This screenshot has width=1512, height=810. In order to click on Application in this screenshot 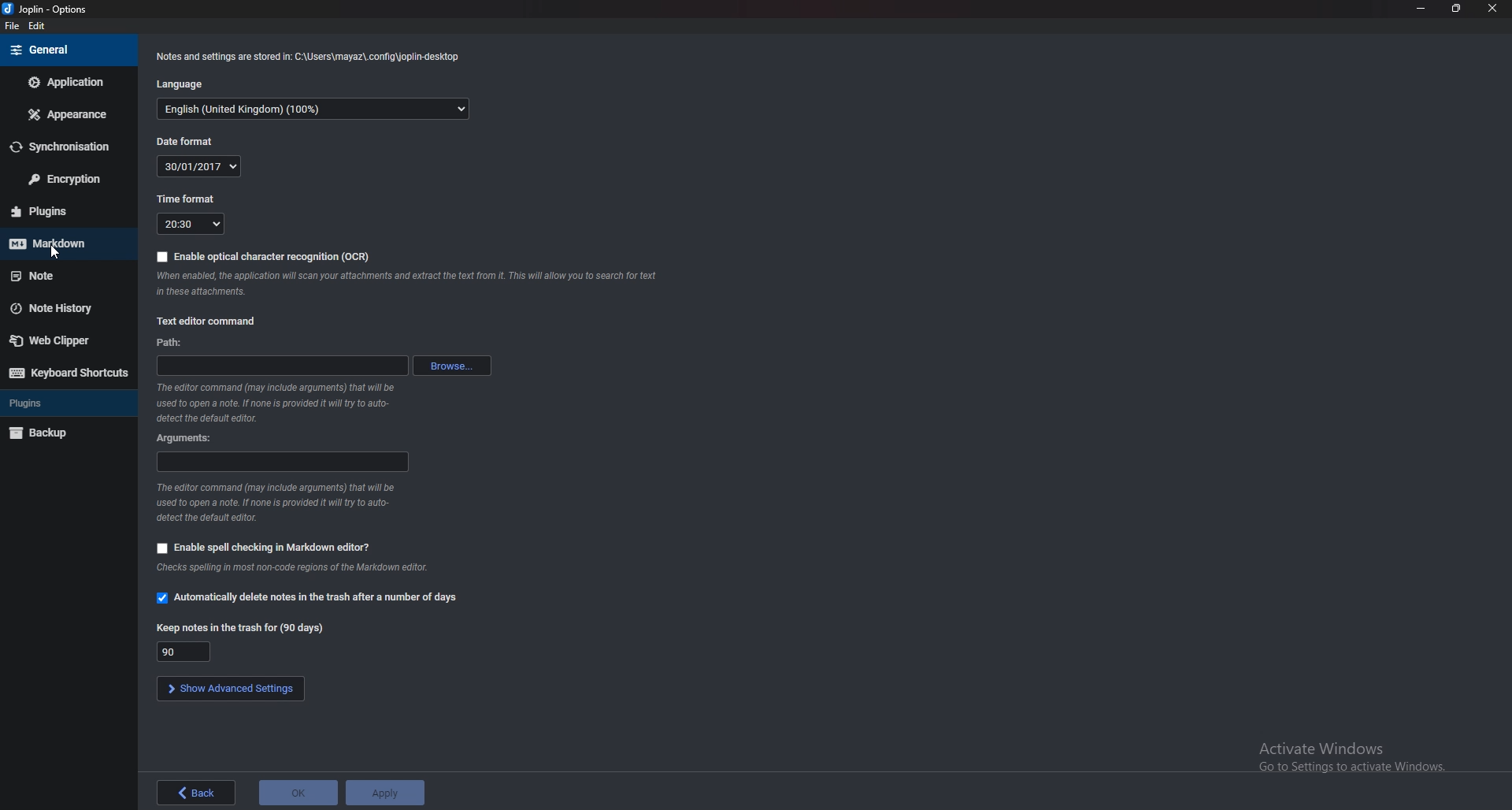, I will do `click(72, 82)`.